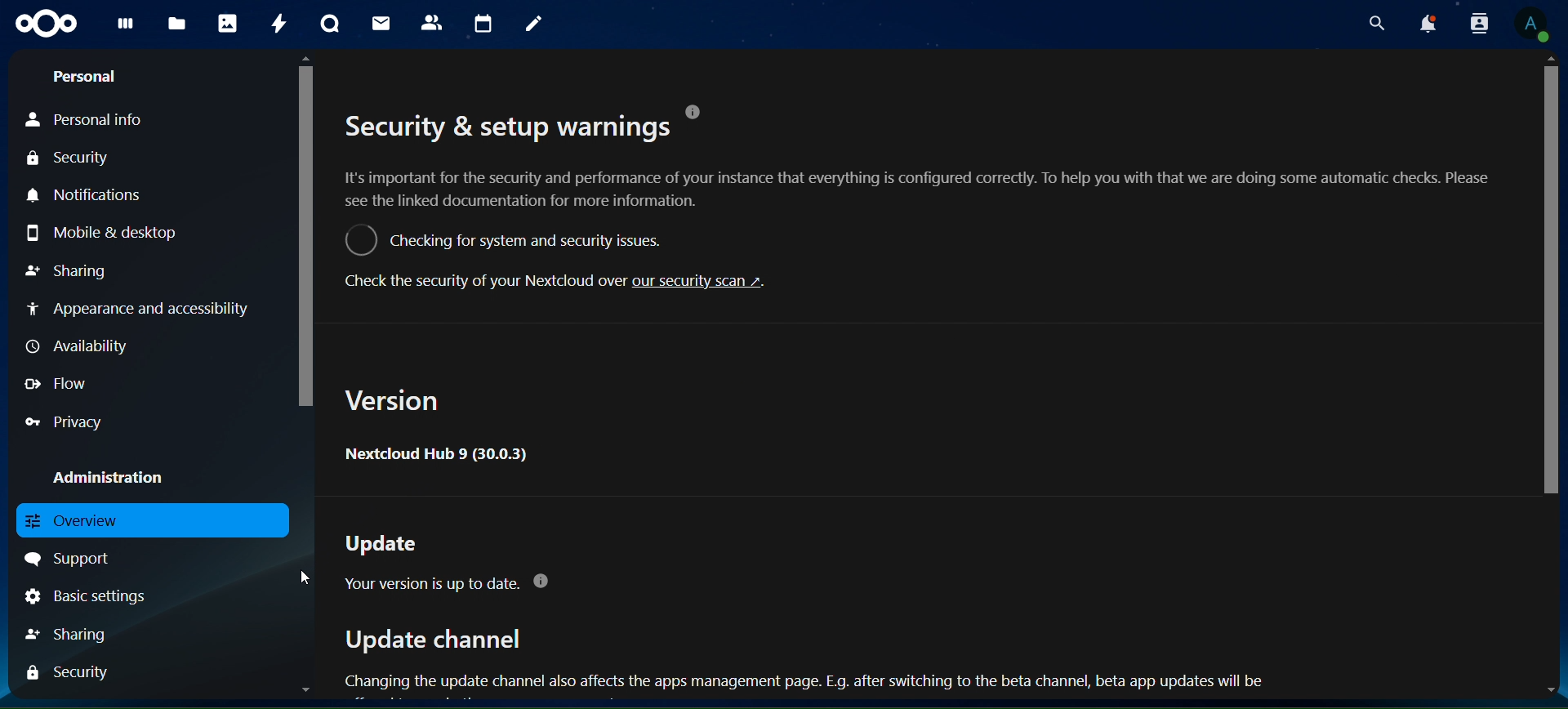  I want to click on appearance and accessibility, so click(140, 310).